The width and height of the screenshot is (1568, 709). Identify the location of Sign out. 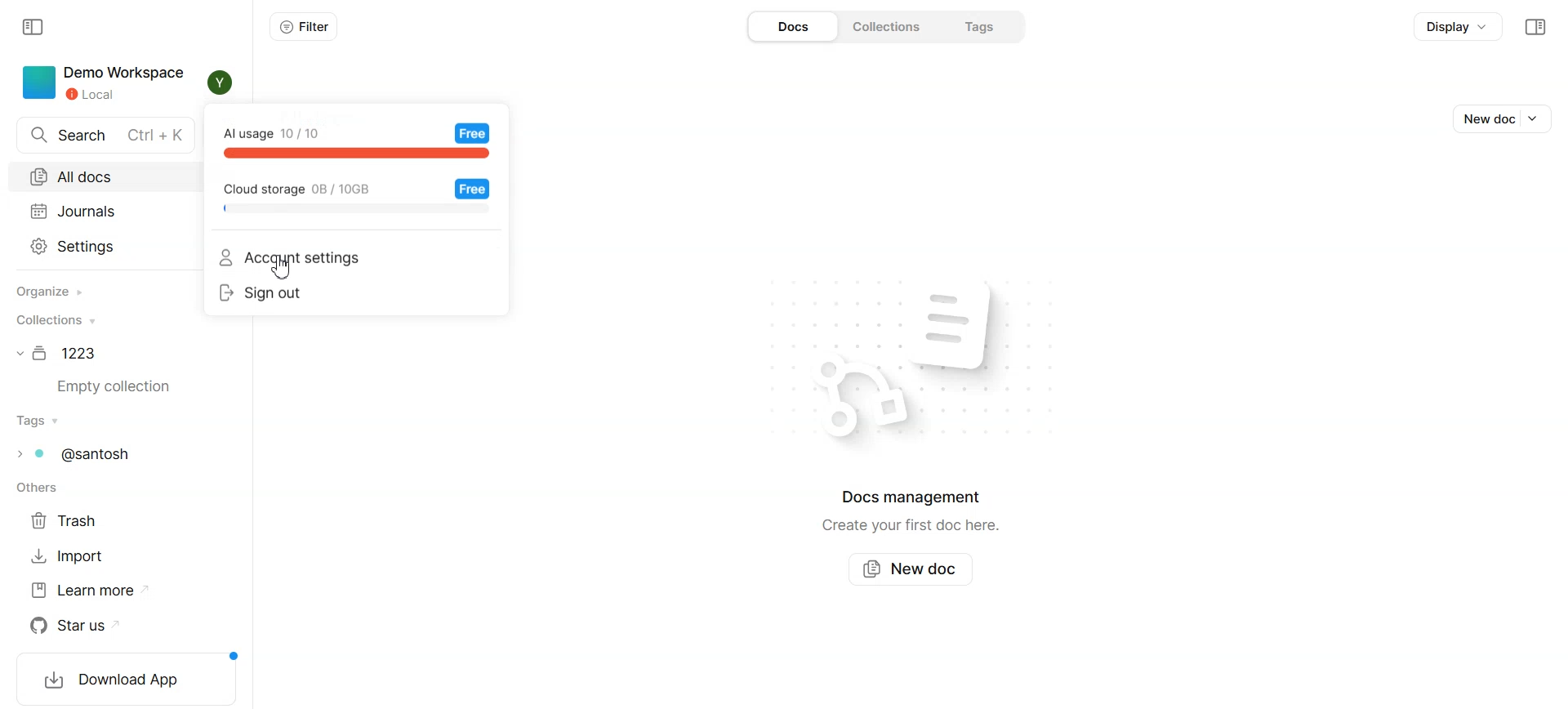
(354, 294).